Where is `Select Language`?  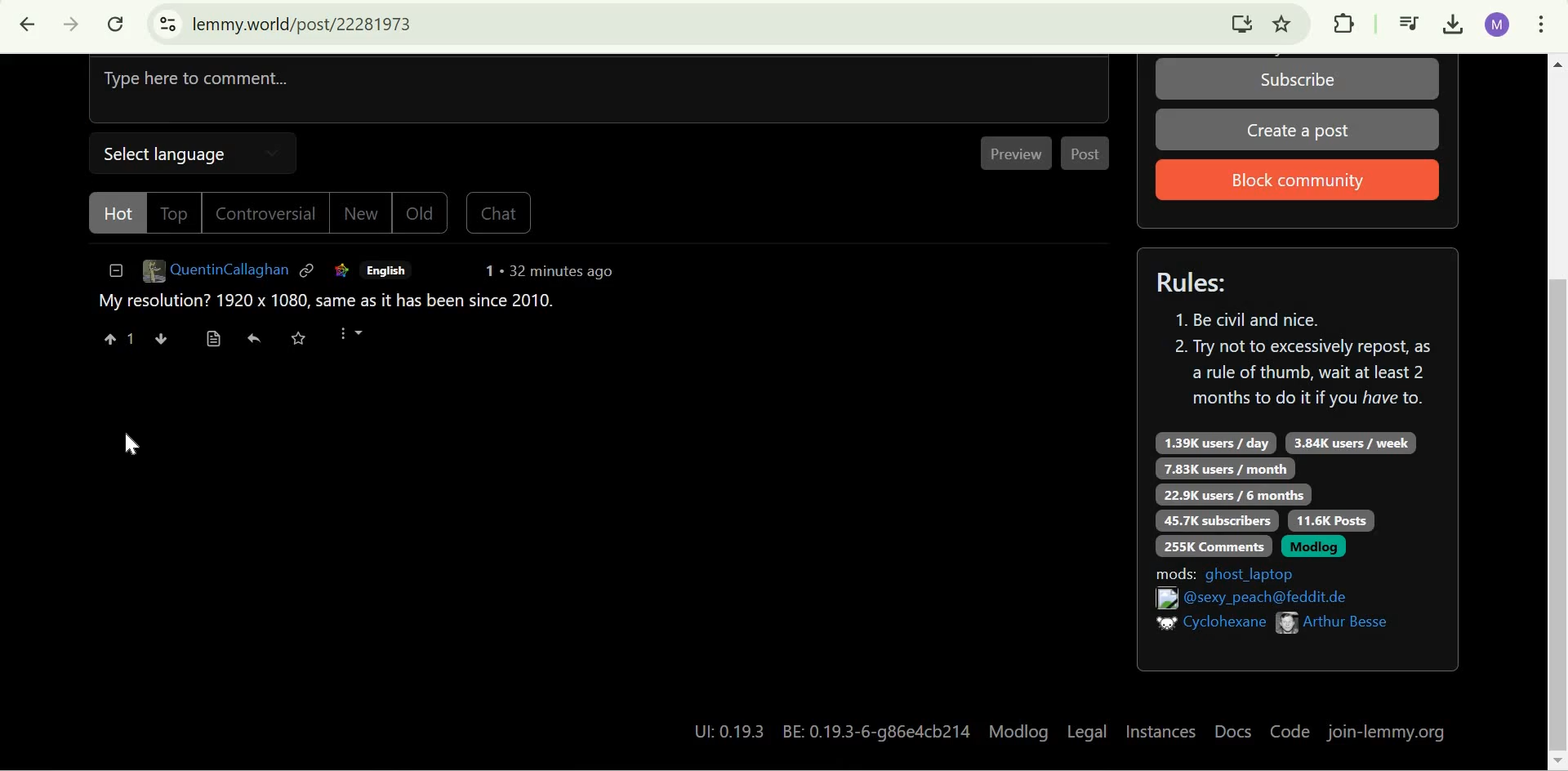 Select Language is located at coordinates (198, 156).